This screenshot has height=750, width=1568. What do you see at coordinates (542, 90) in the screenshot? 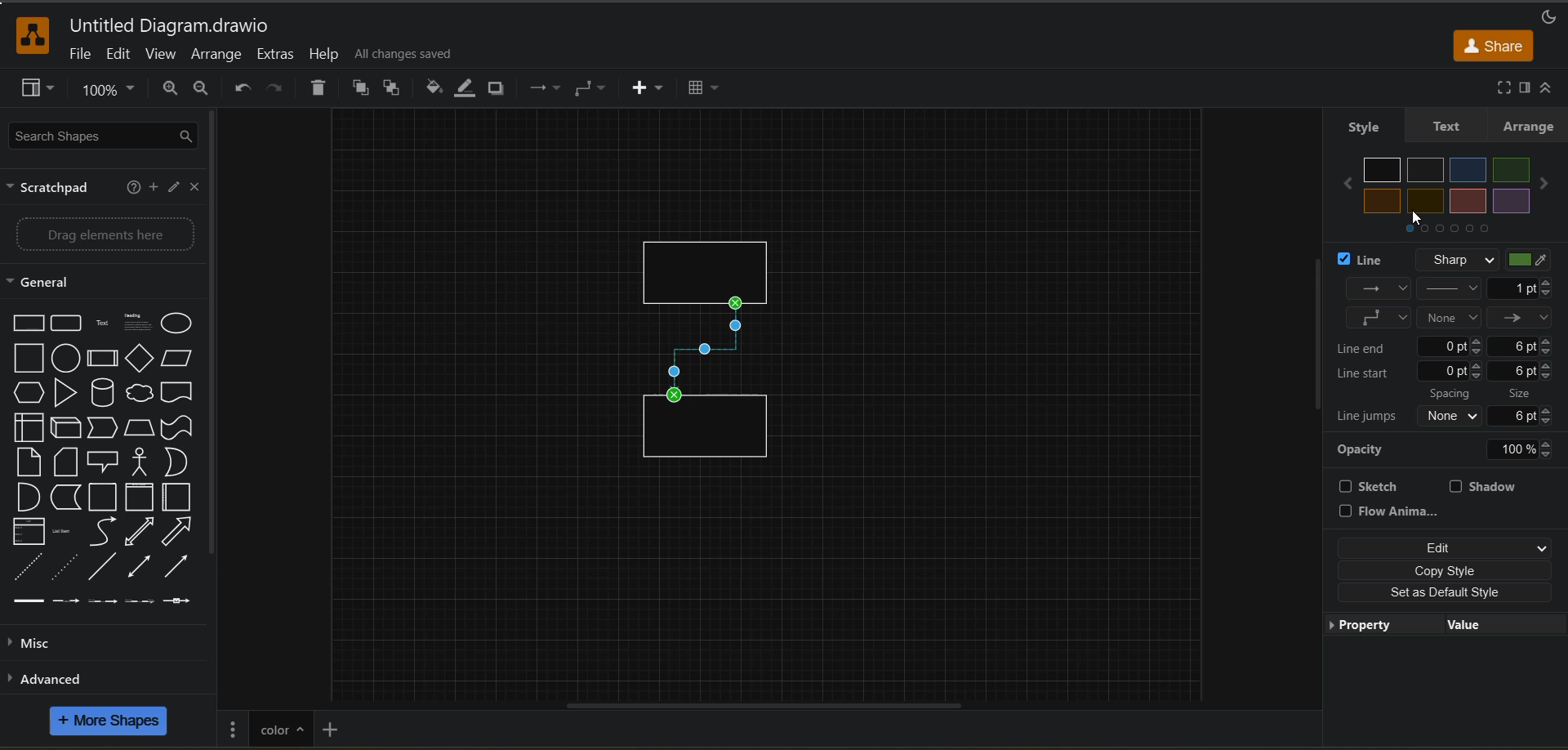
I see `waypoints` at bounding box center [542, 90].